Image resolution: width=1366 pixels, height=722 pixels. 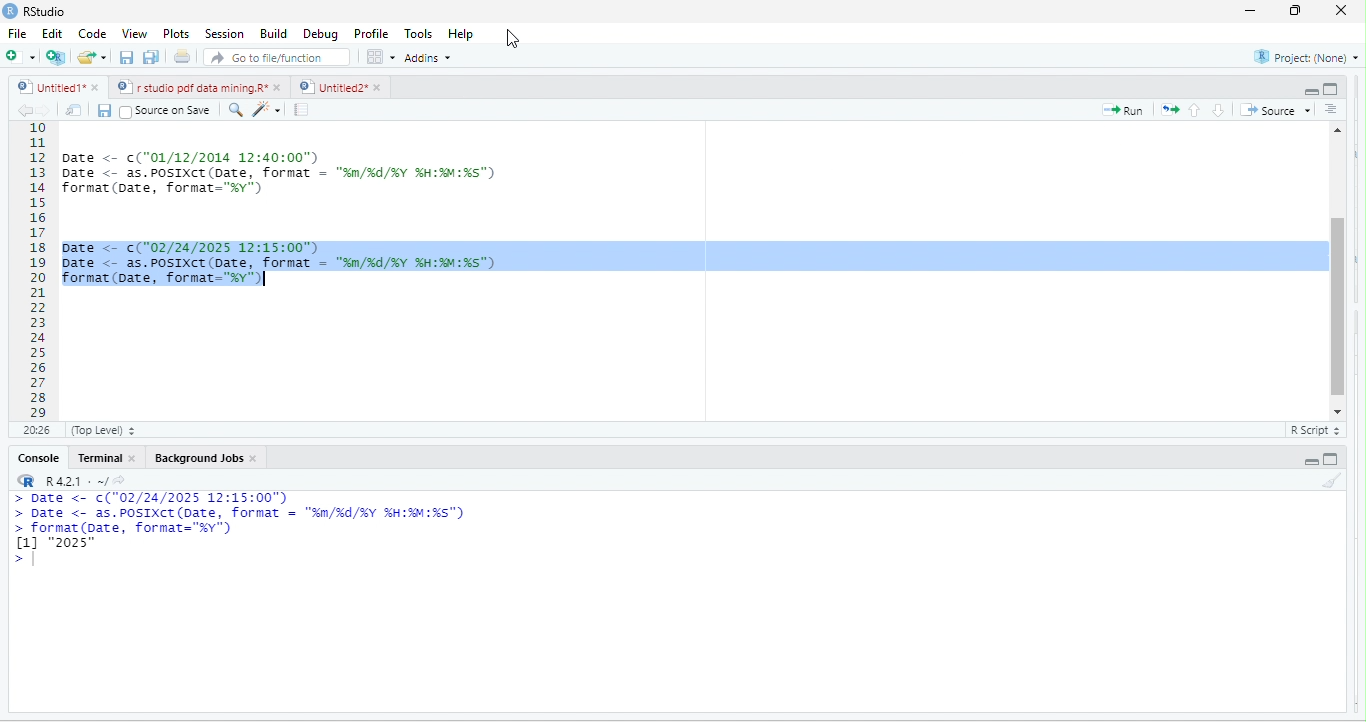 I want to click on clear console, so click(x=1332, y=483).